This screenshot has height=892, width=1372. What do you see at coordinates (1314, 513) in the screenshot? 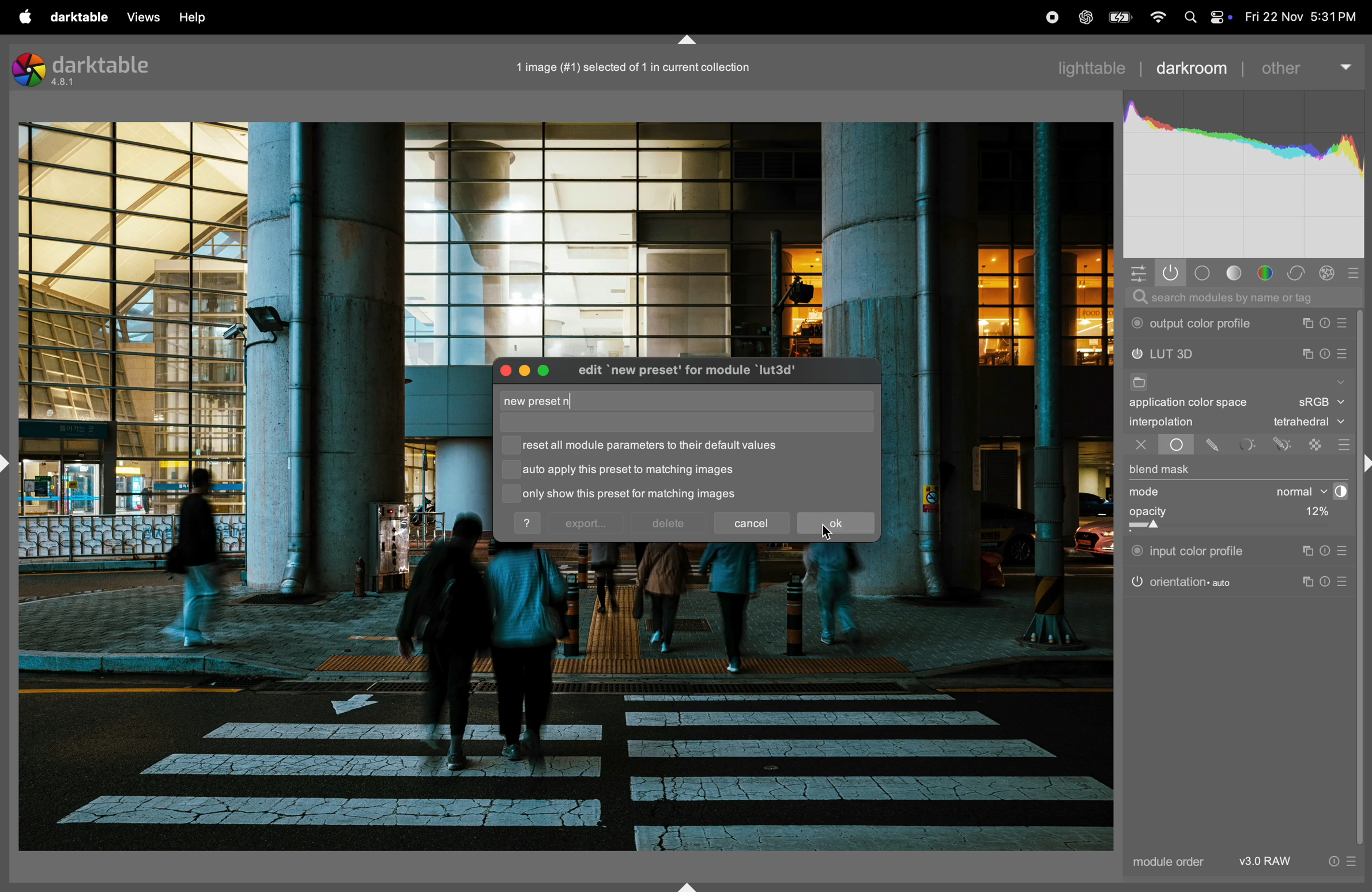
I see `12%` at bounding box center [1314, 513].